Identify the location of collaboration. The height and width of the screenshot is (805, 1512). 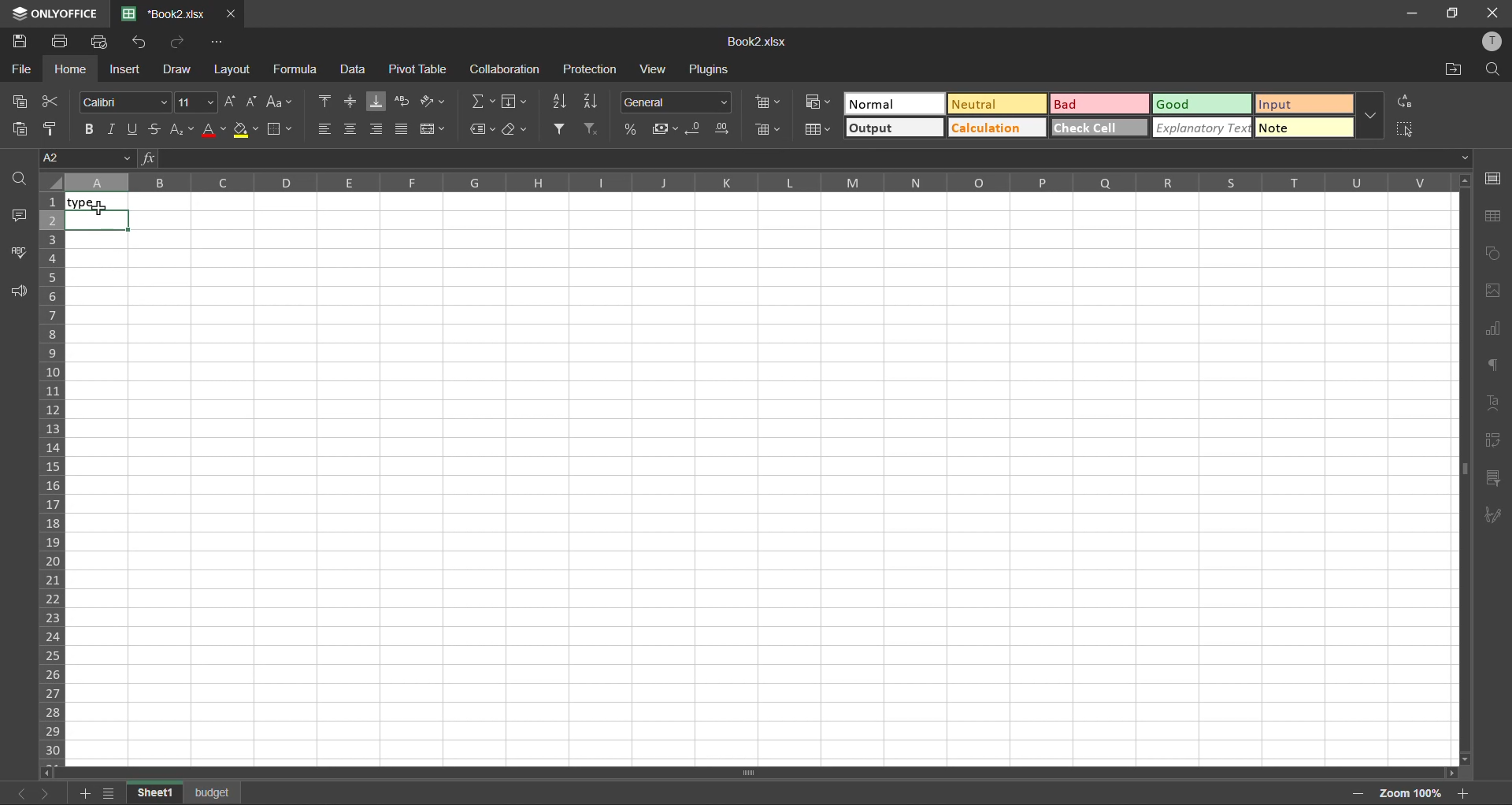
(506, 72).